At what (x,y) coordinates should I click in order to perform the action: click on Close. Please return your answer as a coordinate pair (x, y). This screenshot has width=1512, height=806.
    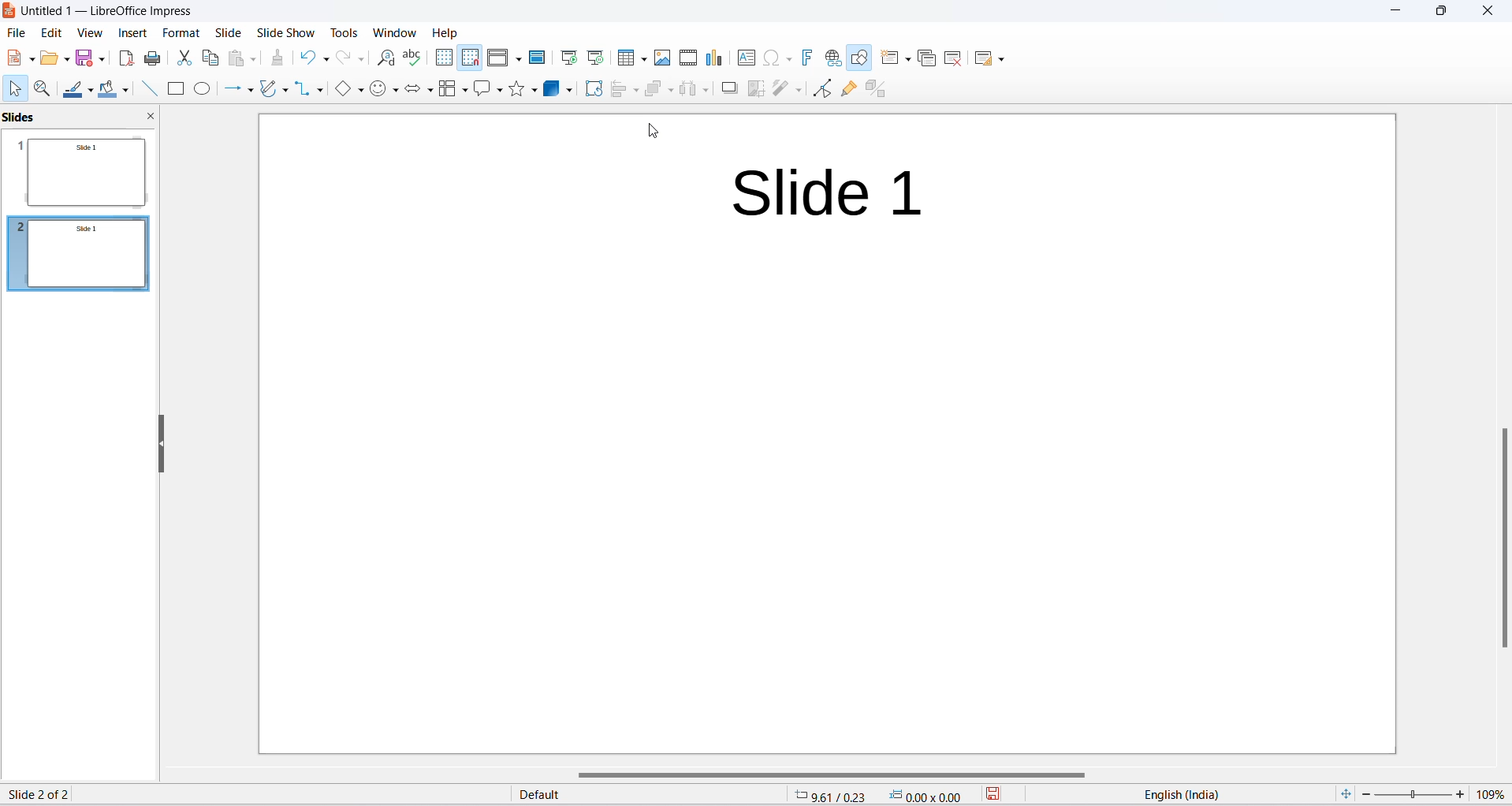
    Looking at the image, I should click on (1487, 12).